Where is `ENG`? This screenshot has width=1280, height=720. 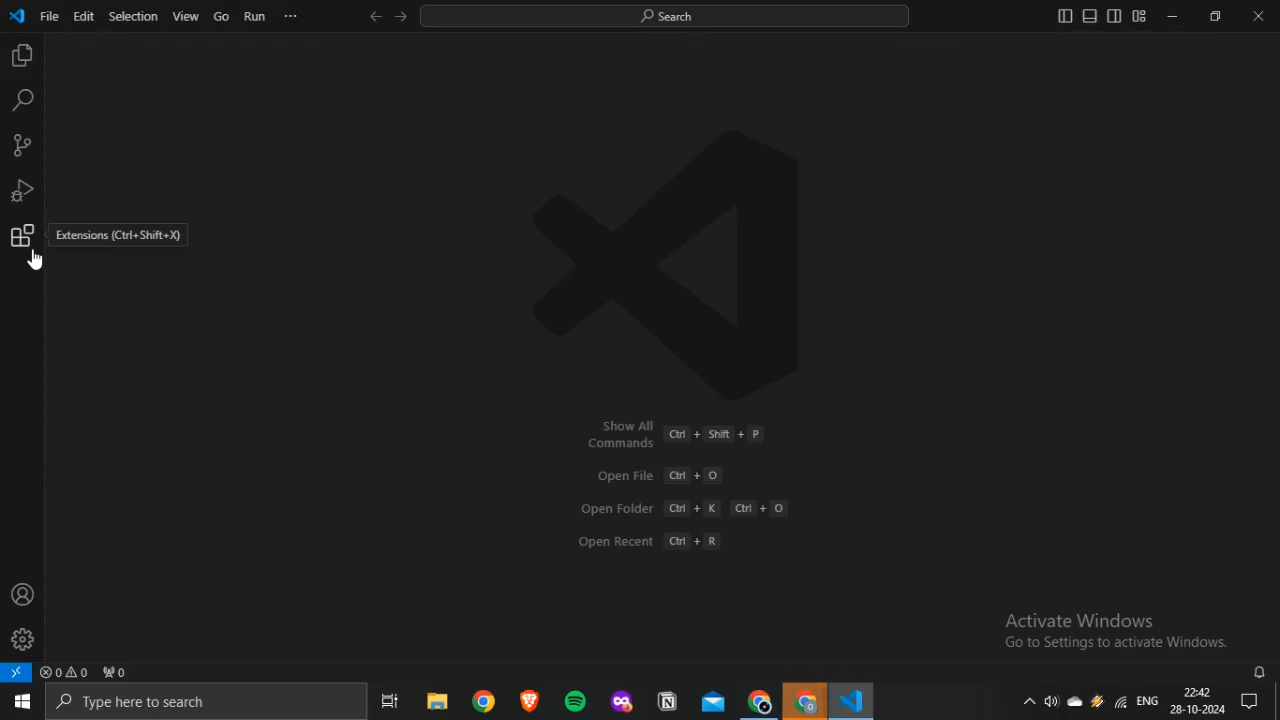
ENG is located at coordinates (1147, 700).